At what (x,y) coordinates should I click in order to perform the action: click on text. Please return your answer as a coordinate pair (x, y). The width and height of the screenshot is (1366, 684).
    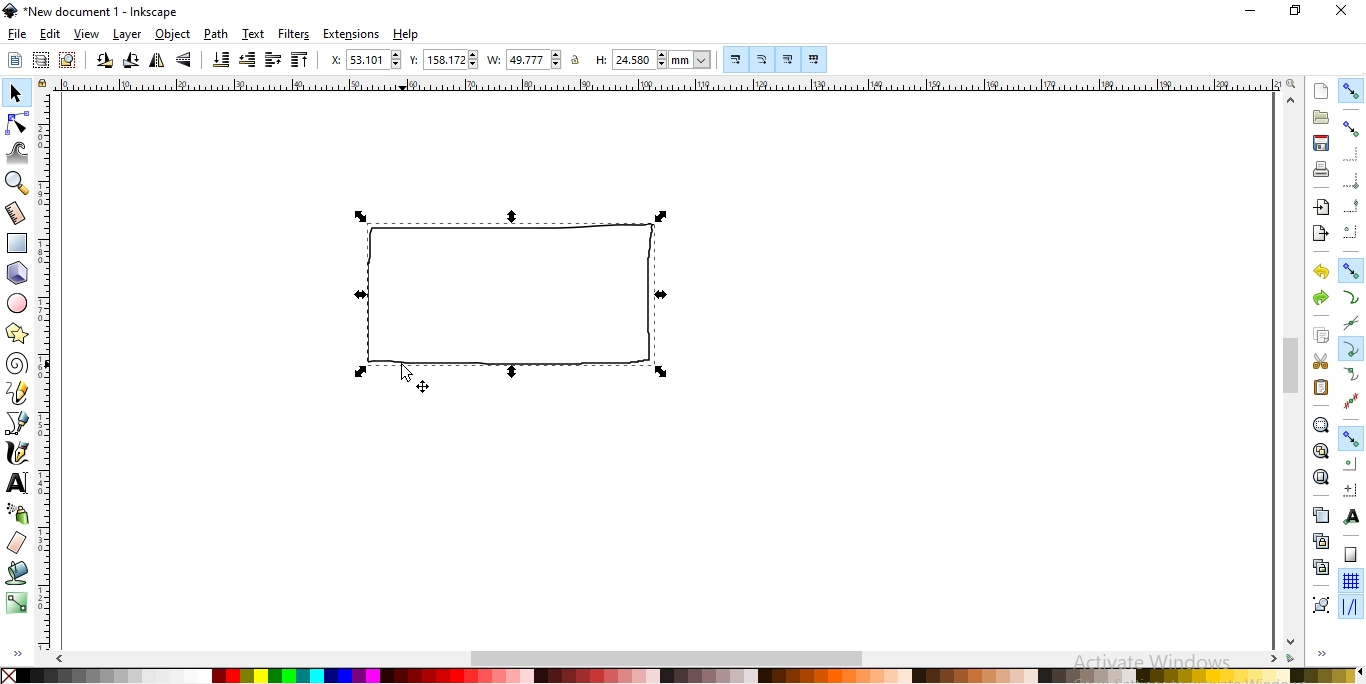
    Looking at the image, I should click on (254, 32).